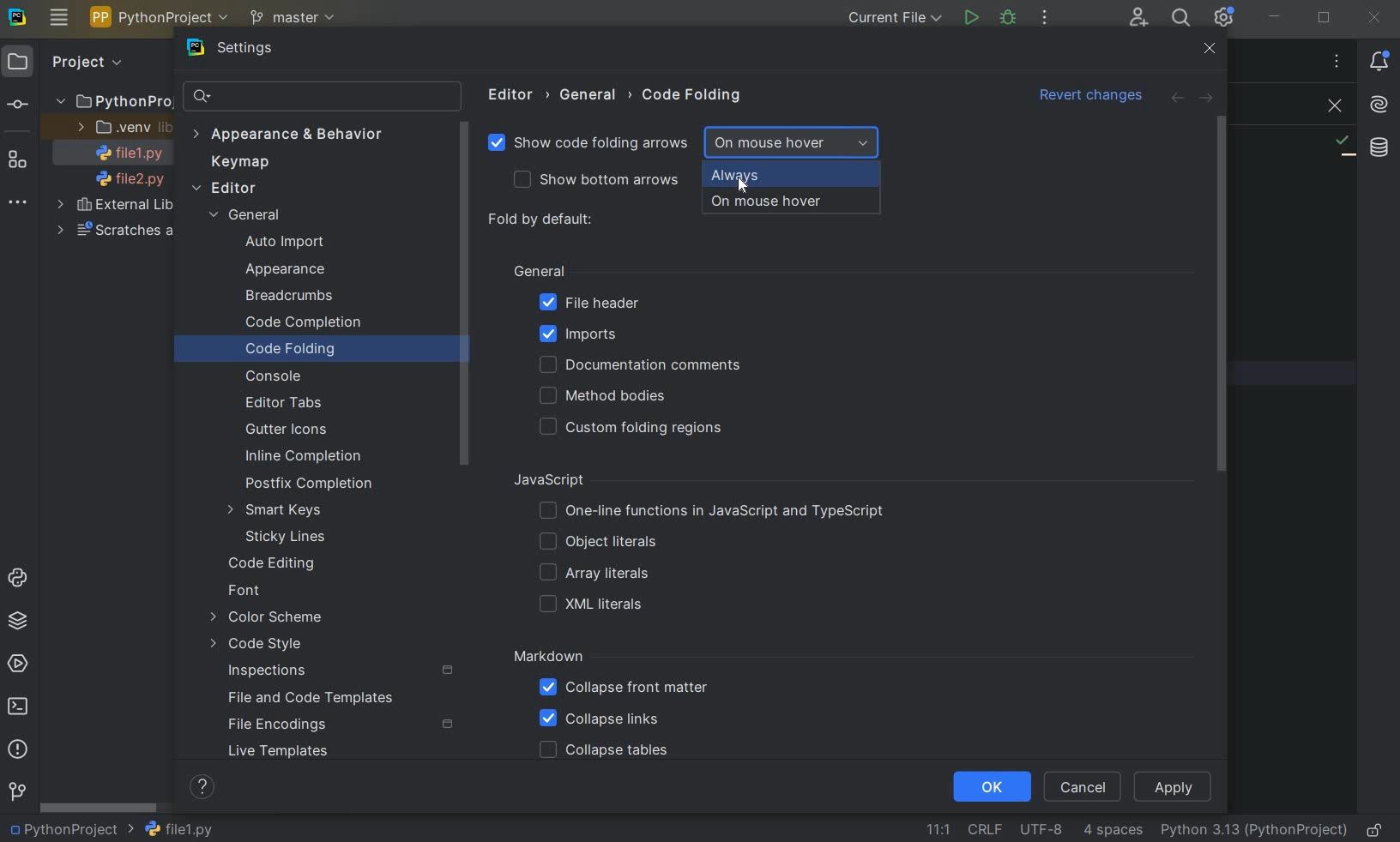 This screenshot has width=1400, height=842. Describe the element at coordinates (303, 323) in the screenshot. I see `CODE COMPLETION` at that location.